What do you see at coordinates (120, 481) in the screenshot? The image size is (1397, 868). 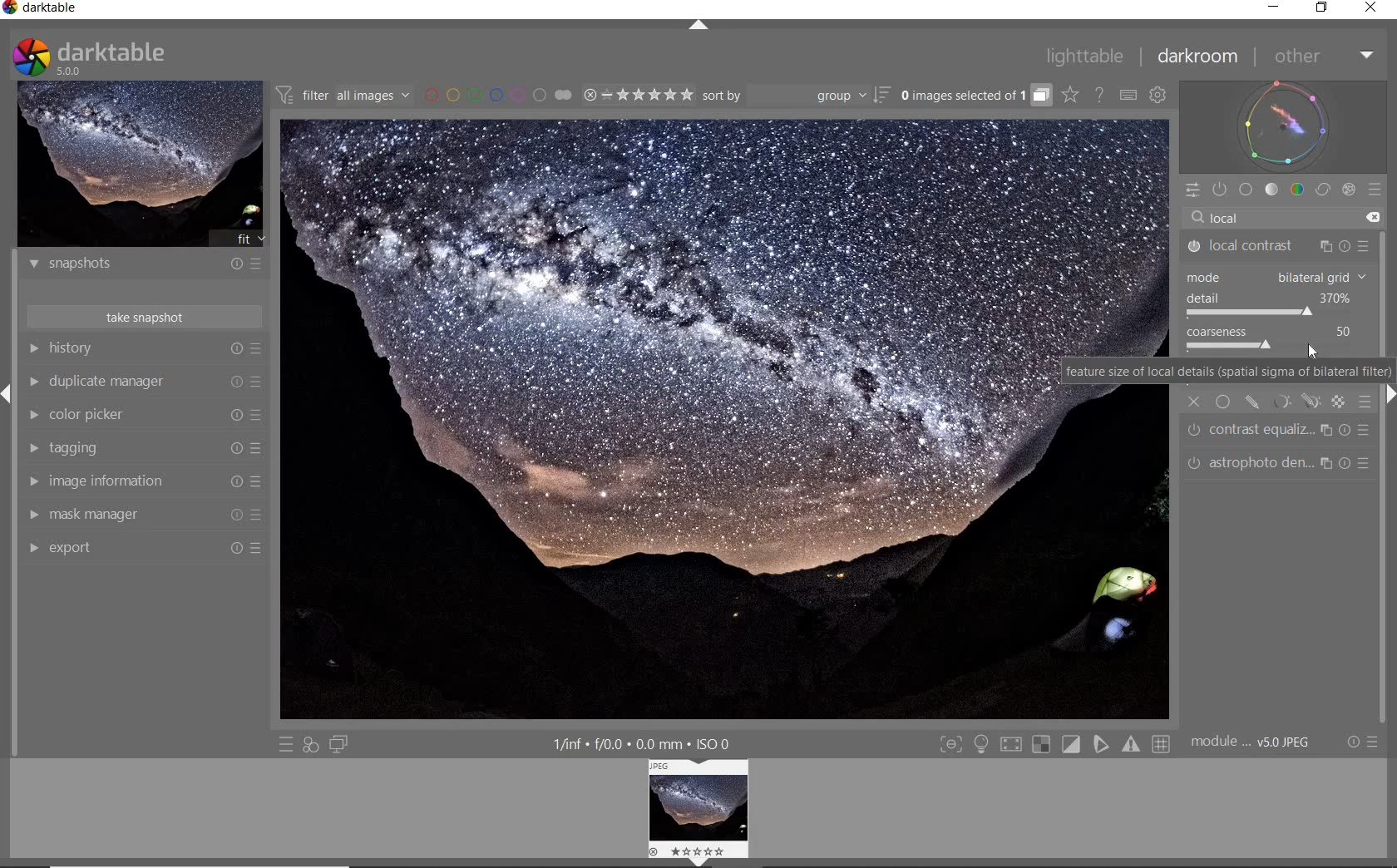 I see `image information` at bounding box center [120, 481].